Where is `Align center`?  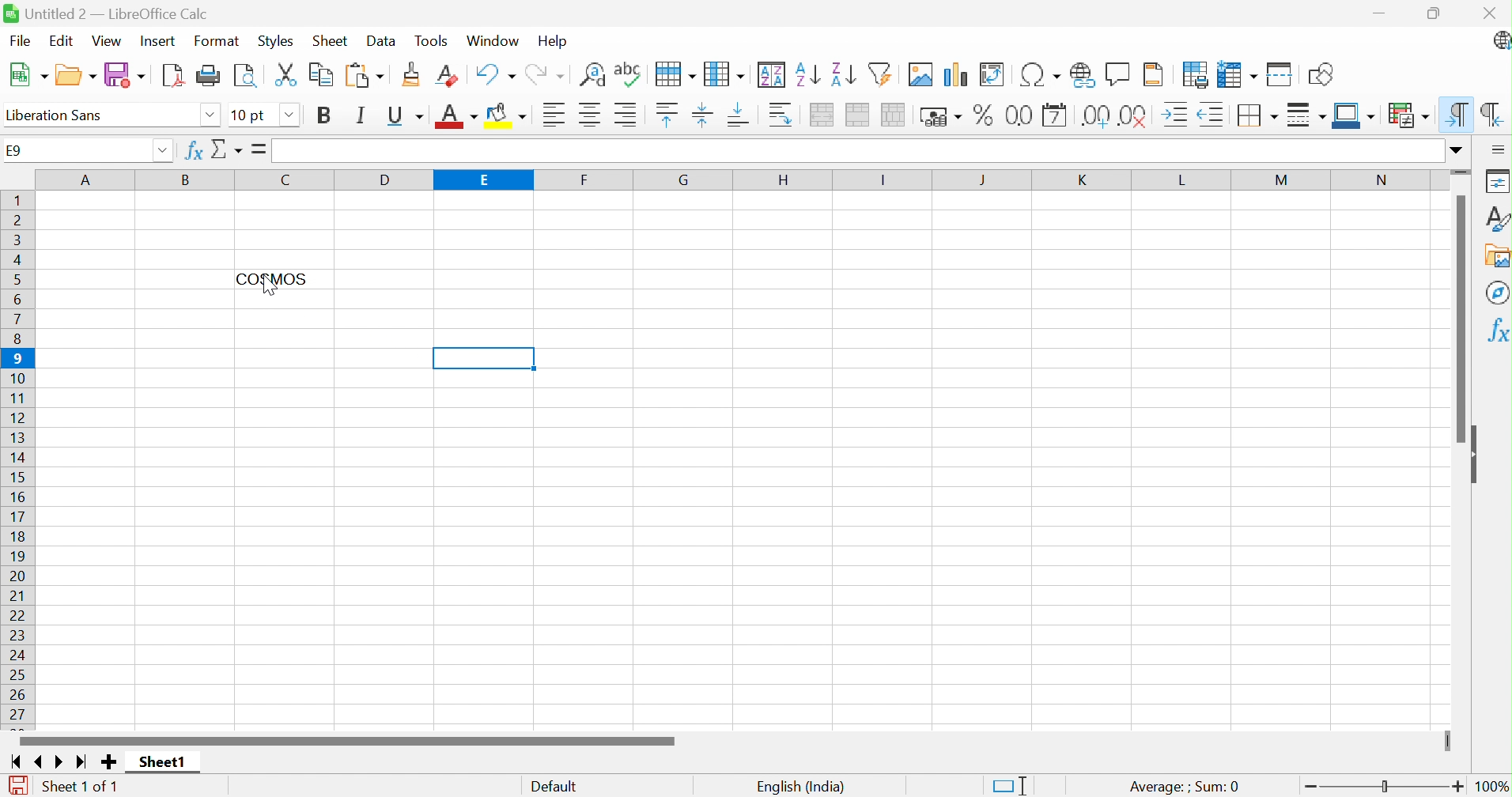
Align center is located at coordinates (591, 115).